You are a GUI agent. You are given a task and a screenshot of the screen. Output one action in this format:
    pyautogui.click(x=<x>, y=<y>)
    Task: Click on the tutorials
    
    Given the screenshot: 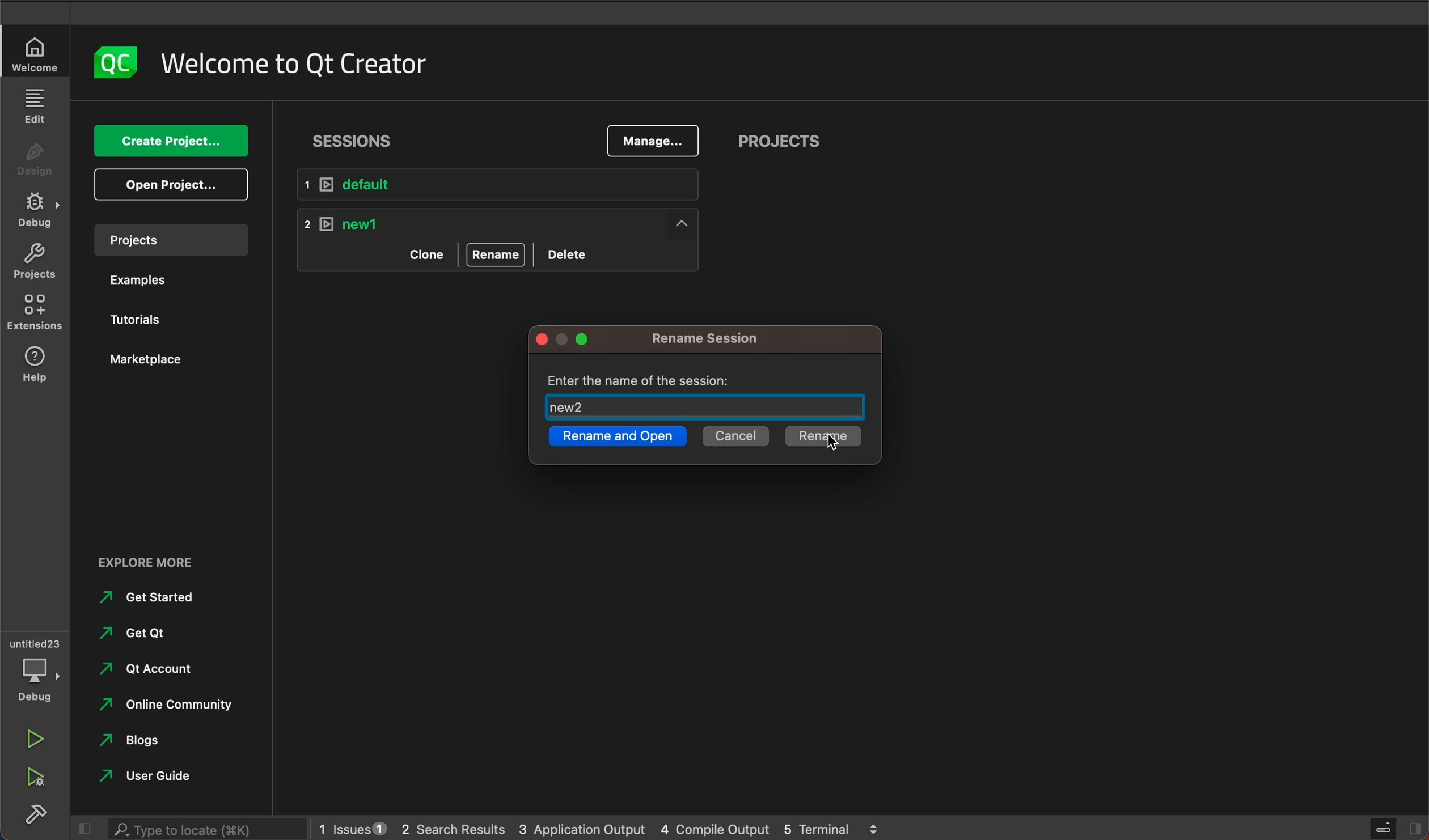 What is the action you would take?
    pyautogui.click(x=139, y=318)
    